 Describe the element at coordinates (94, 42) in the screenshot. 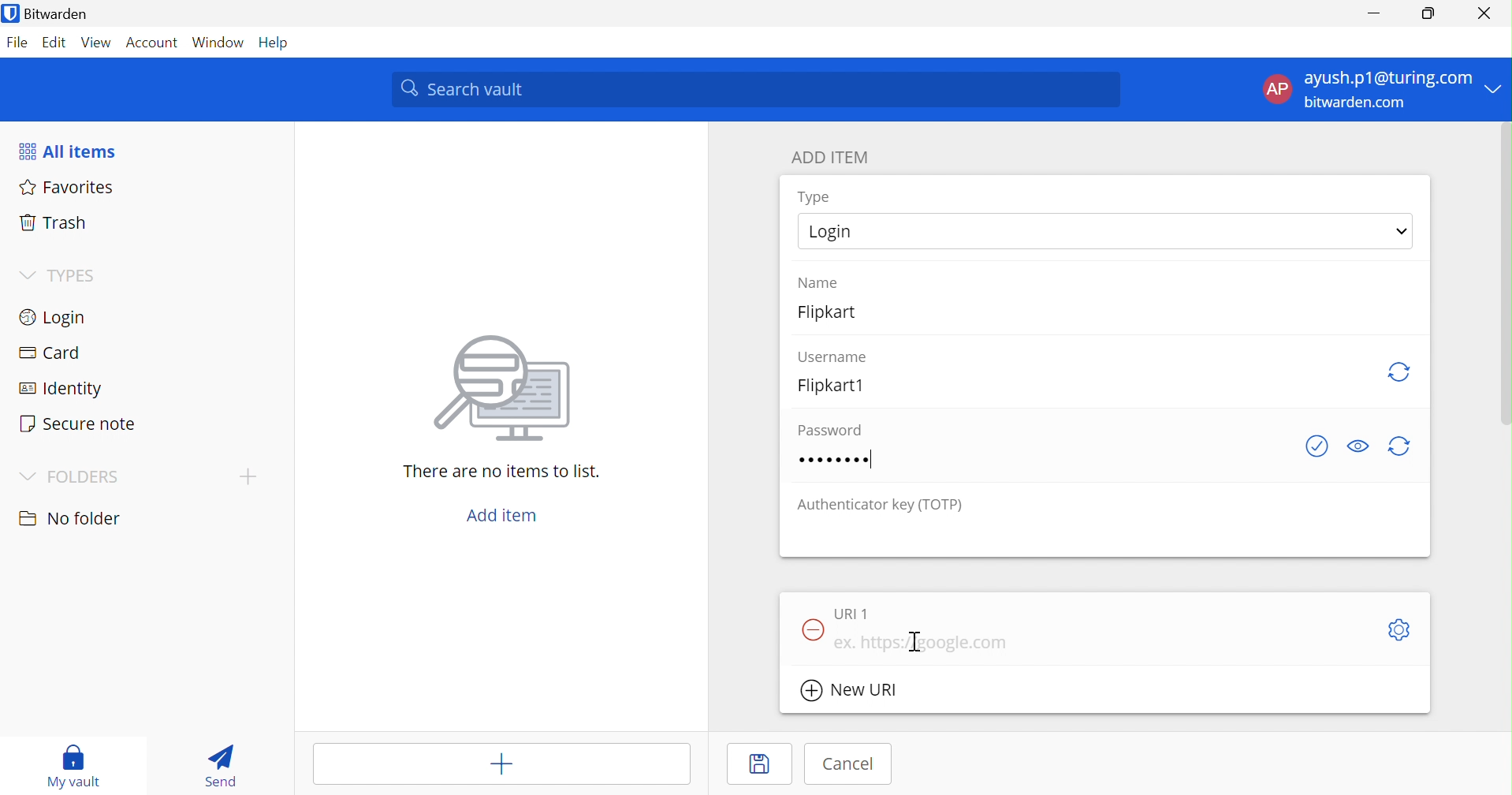

I see `View` at that location.